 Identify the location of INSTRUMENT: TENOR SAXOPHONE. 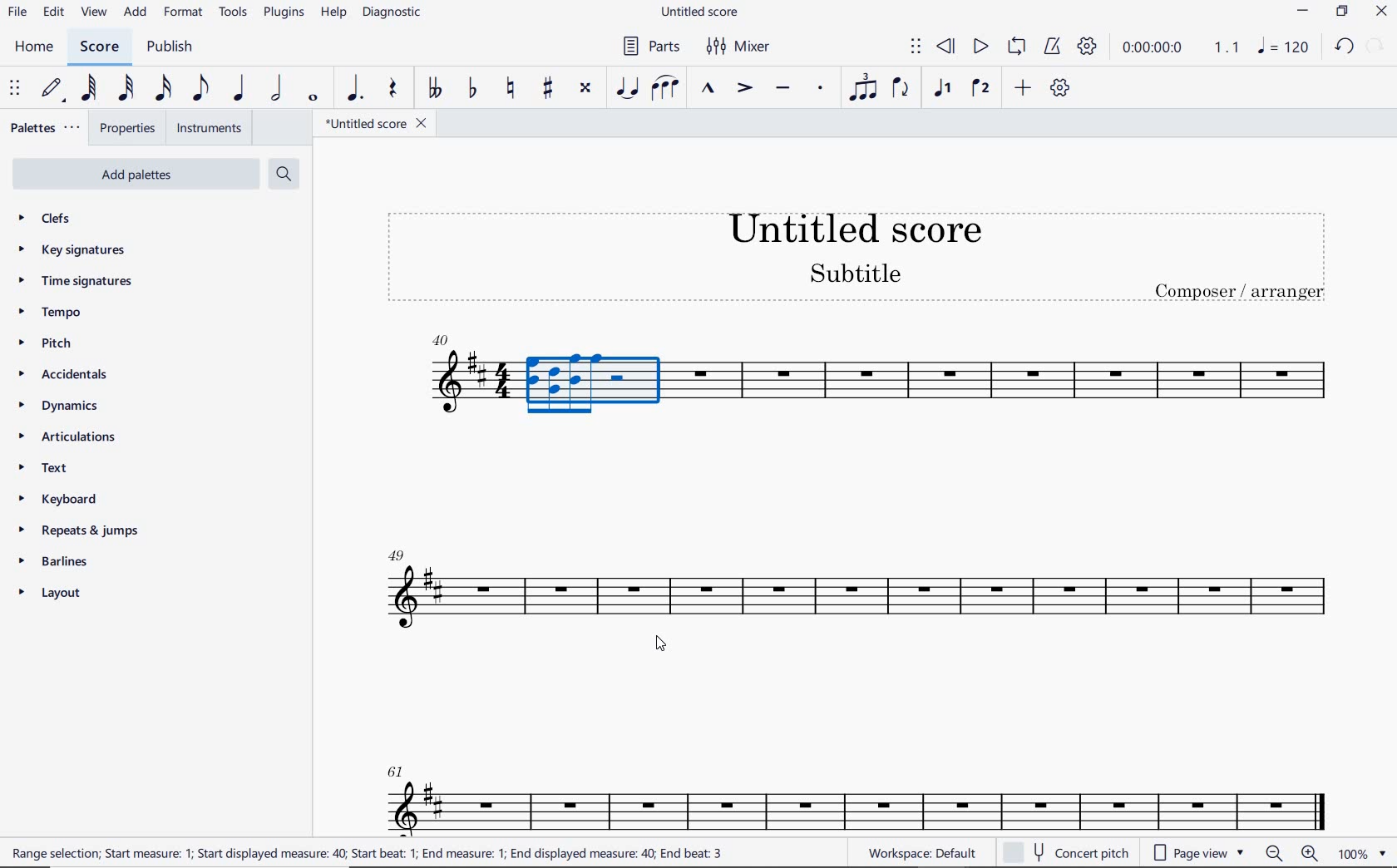
(859, 387).